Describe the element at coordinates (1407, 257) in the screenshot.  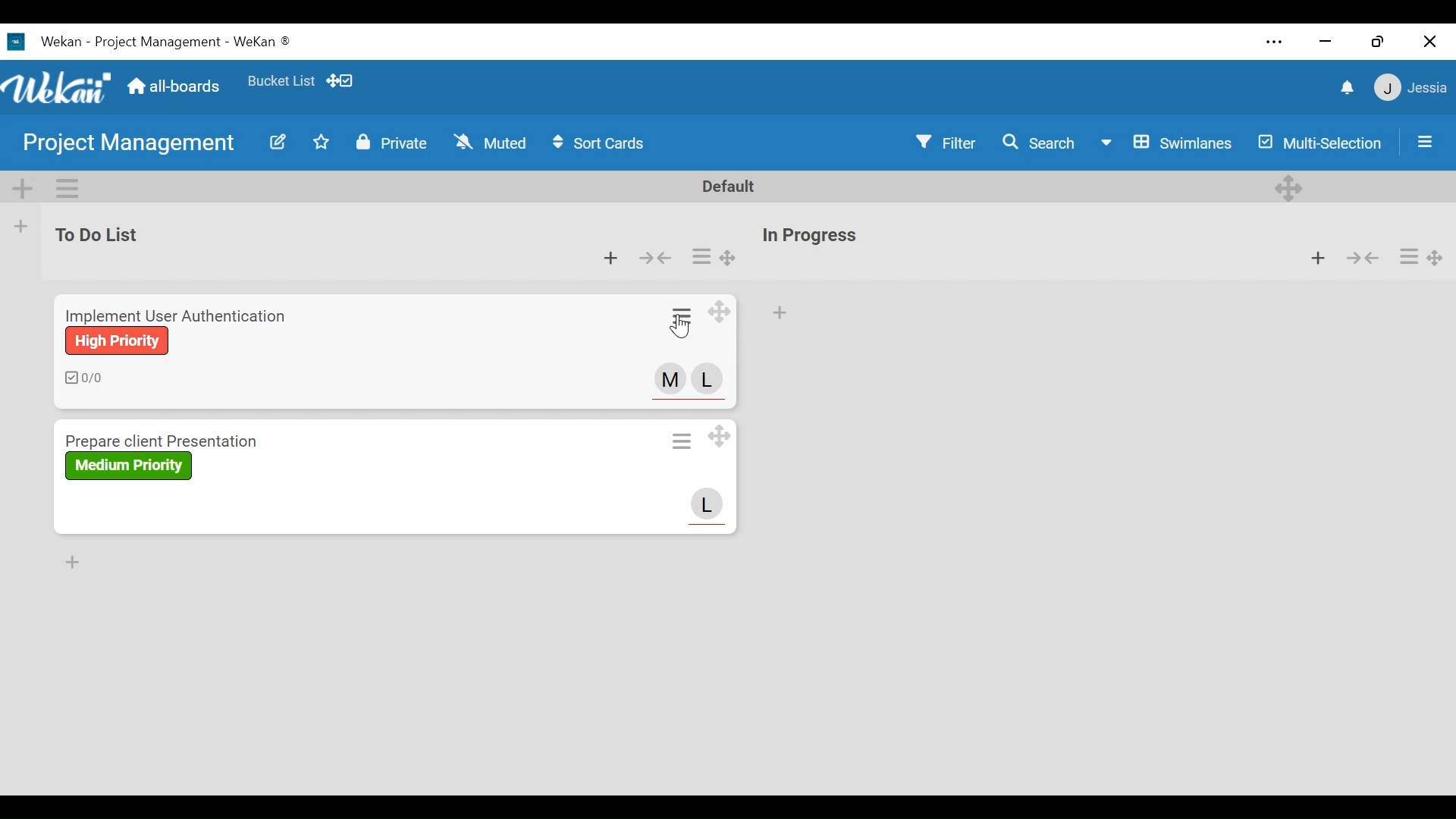
I see `Card actions` at that location.